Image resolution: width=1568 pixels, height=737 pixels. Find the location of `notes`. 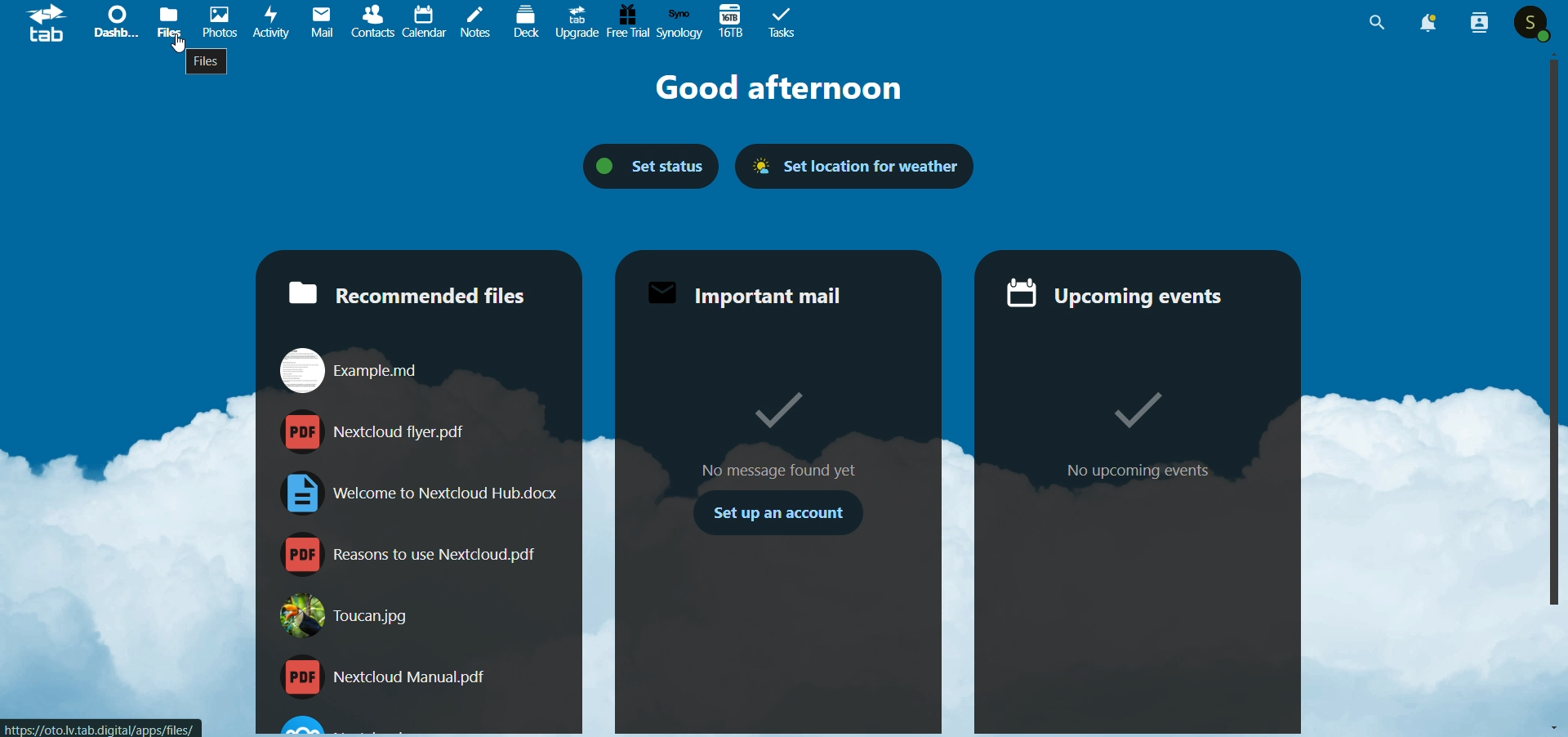

notes is located at coordinates (475, 25).